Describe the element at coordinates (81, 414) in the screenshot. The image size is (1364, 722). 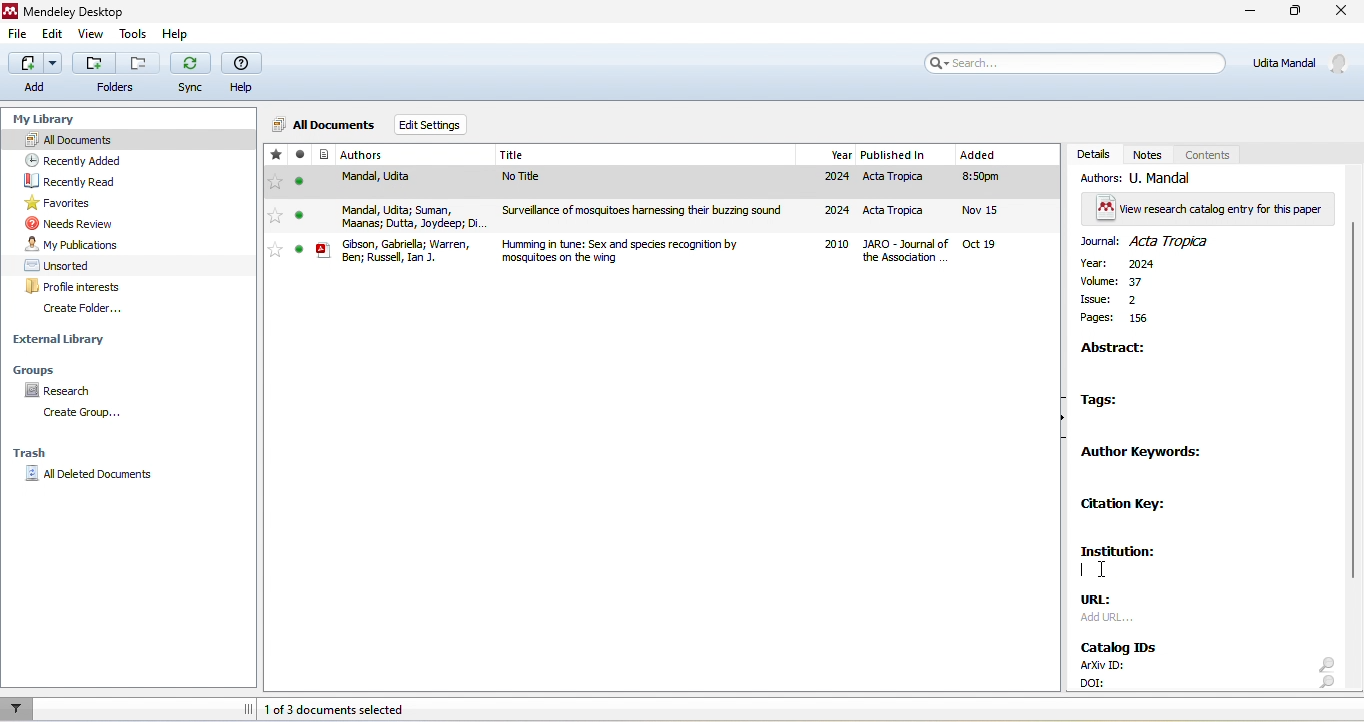
I see `create group` at that location.